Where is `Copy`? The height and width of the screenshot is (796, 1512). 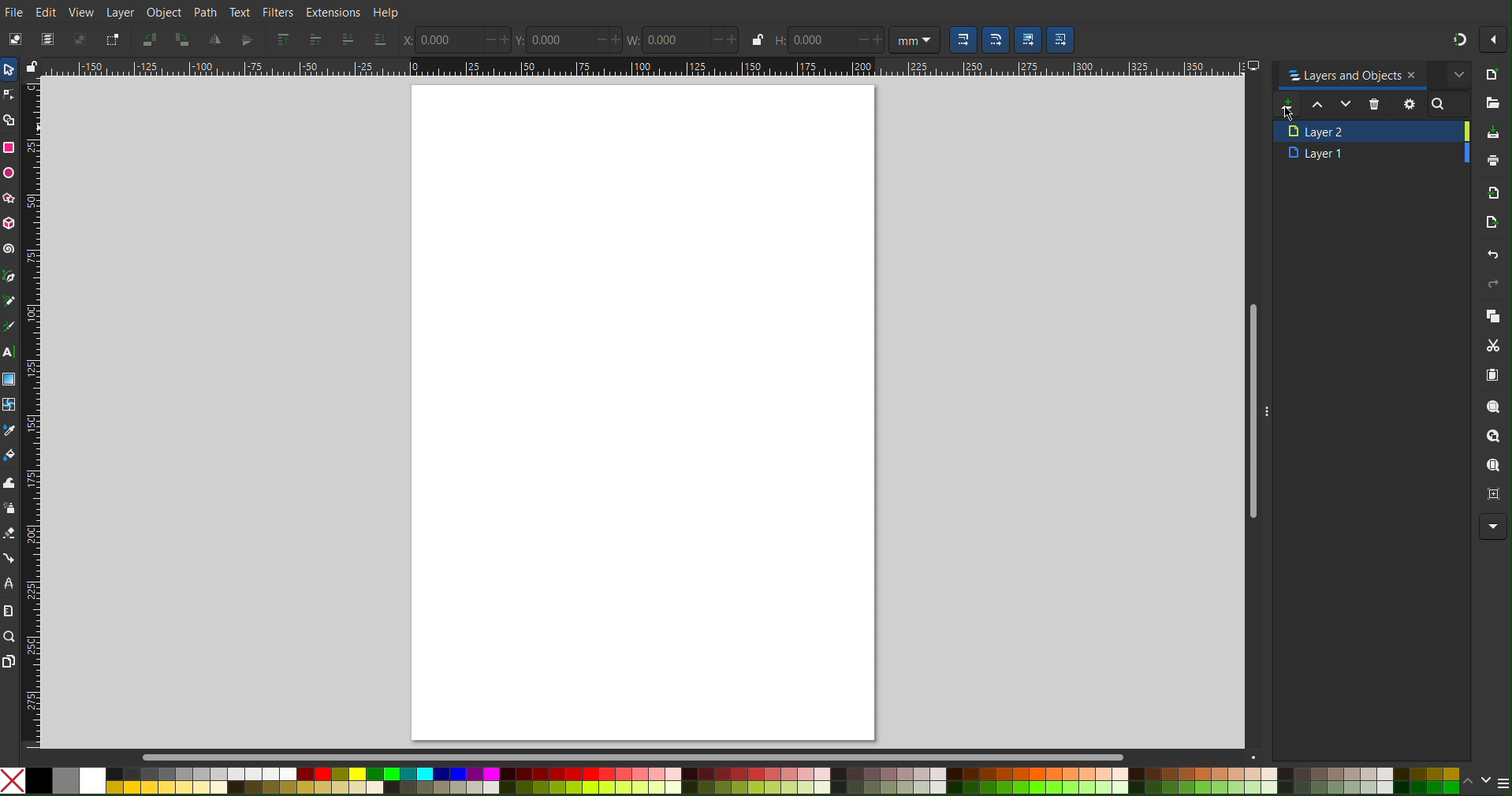 Copy is located at coordinates (1492, 317).